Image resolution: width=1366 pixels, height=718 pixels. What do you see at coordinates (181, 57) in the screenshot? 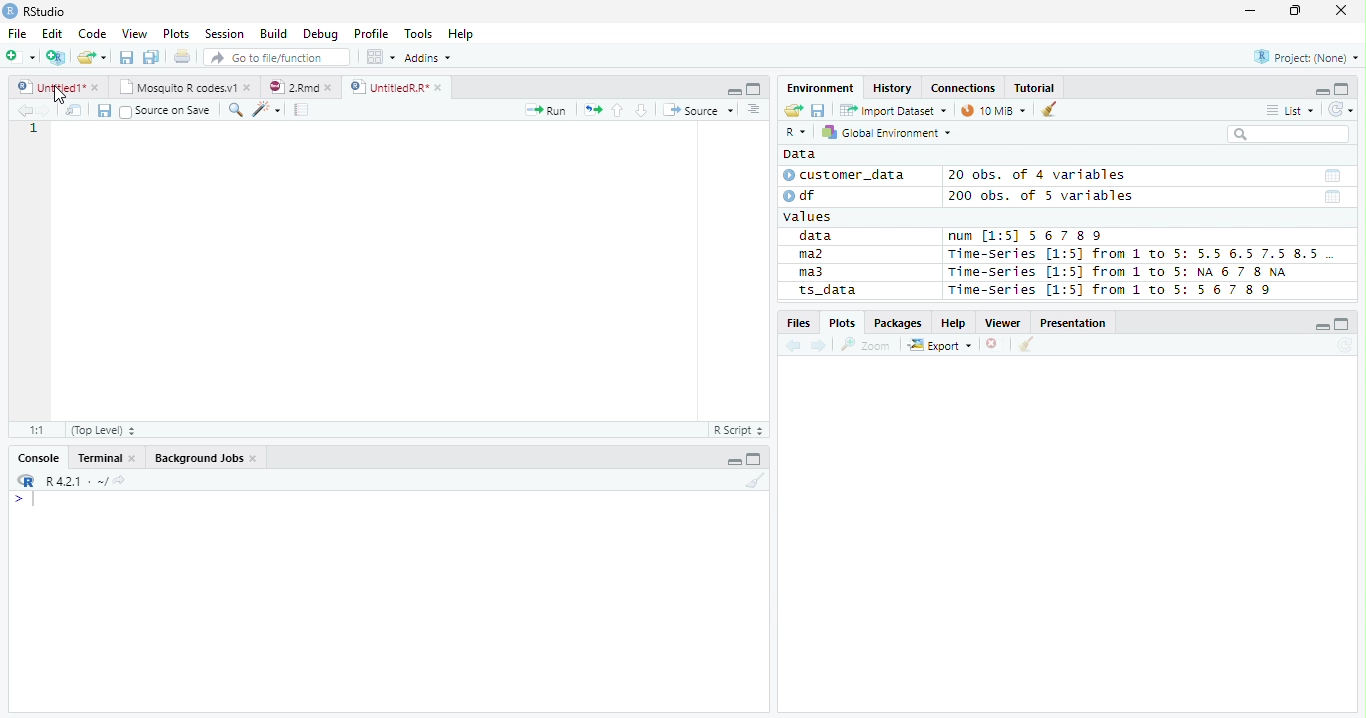
I see `Print` at bounding box center [181, 57].